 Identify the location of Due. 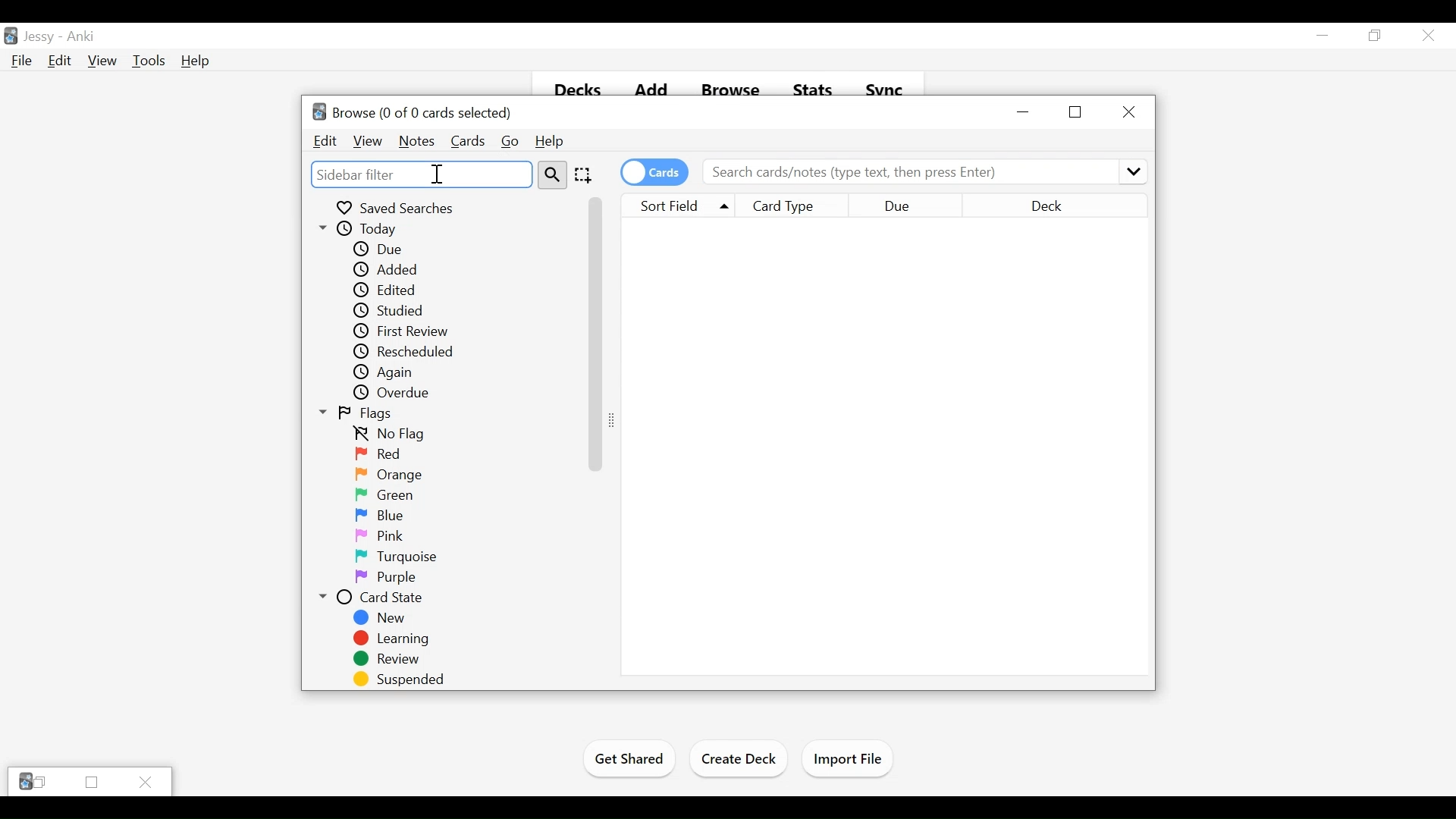
(379, 249).